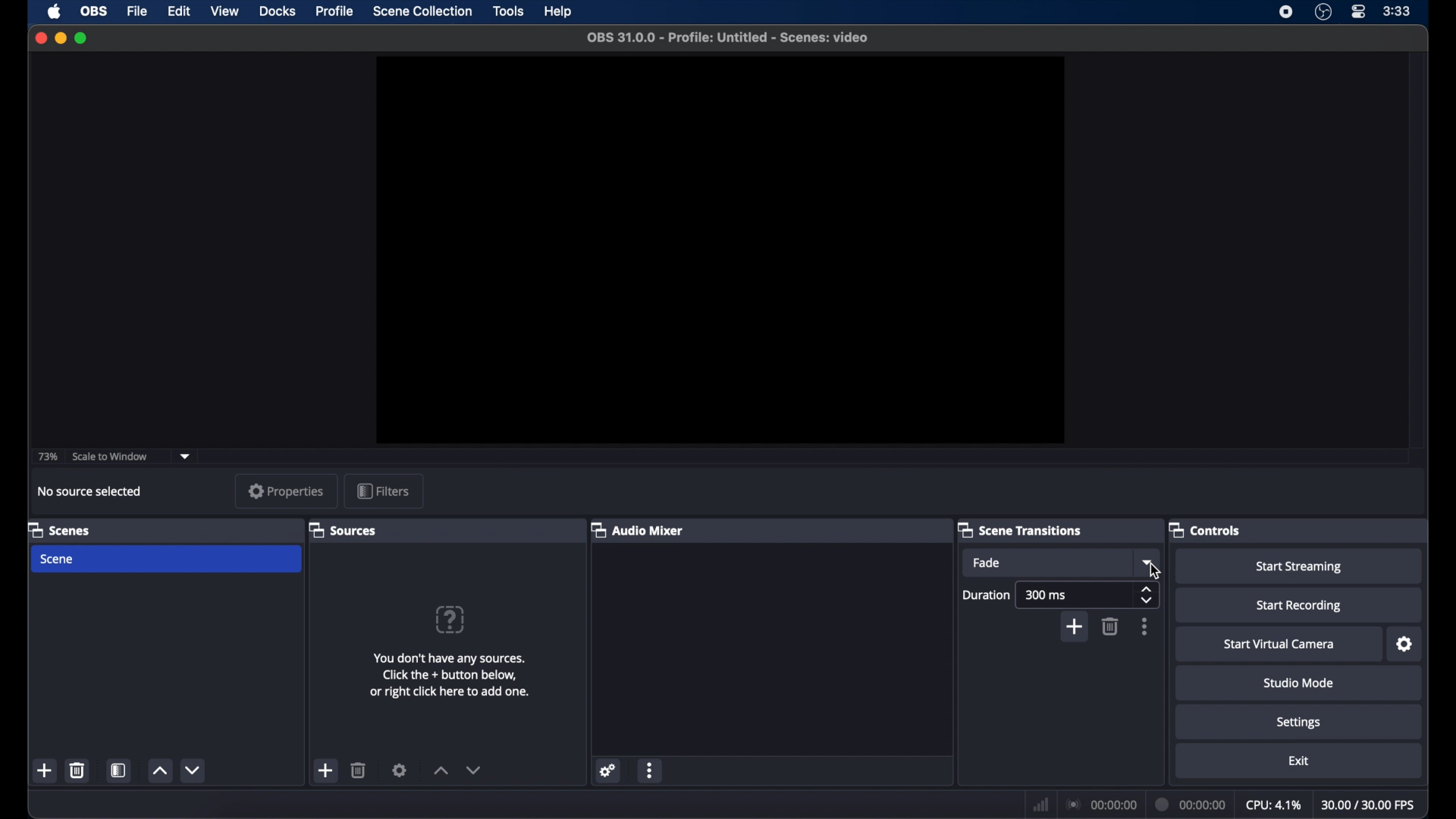 This screenshot has width=1456, height=819. Describe the element at coordinates (1100, 801) in the screenshot. I see `connection` at that location.